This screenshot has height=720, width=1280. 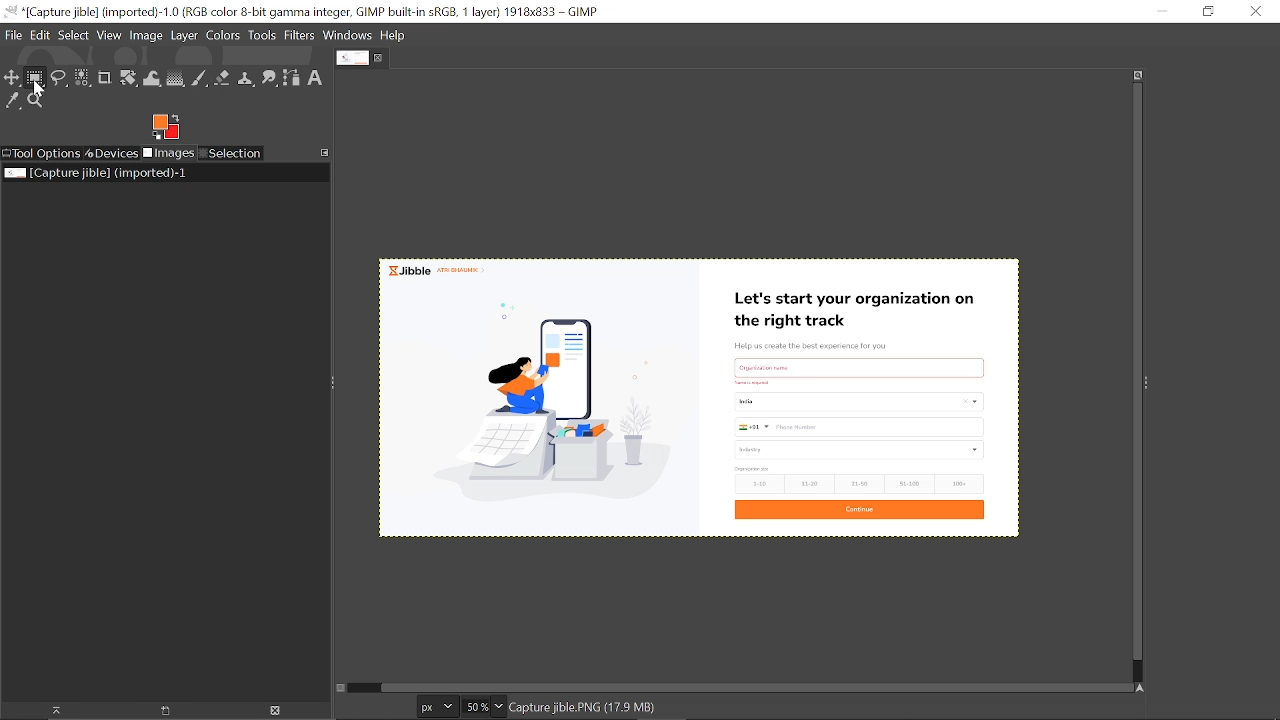 What do you see at coordinates (112, 153) in the screenshot?
I see `Devices` at bounding box center [112, 153].